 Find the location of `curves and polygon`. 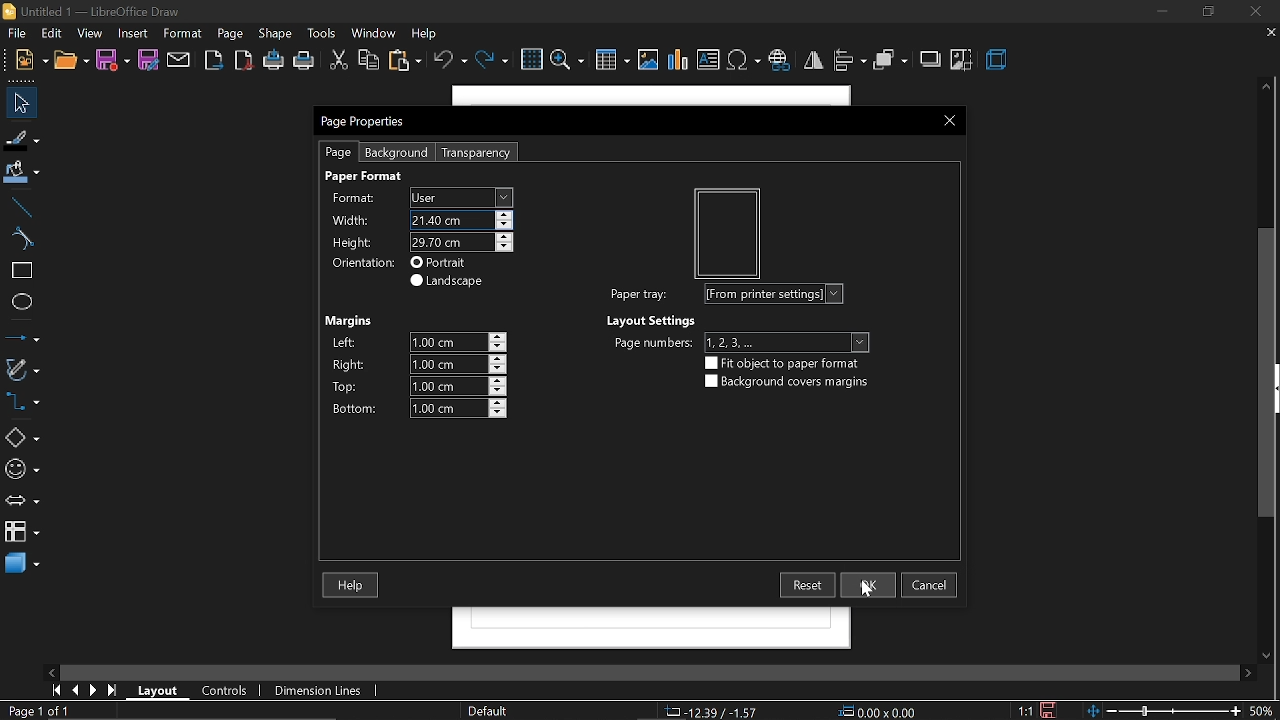

curves and polygon is located at coordinates (23, 369).